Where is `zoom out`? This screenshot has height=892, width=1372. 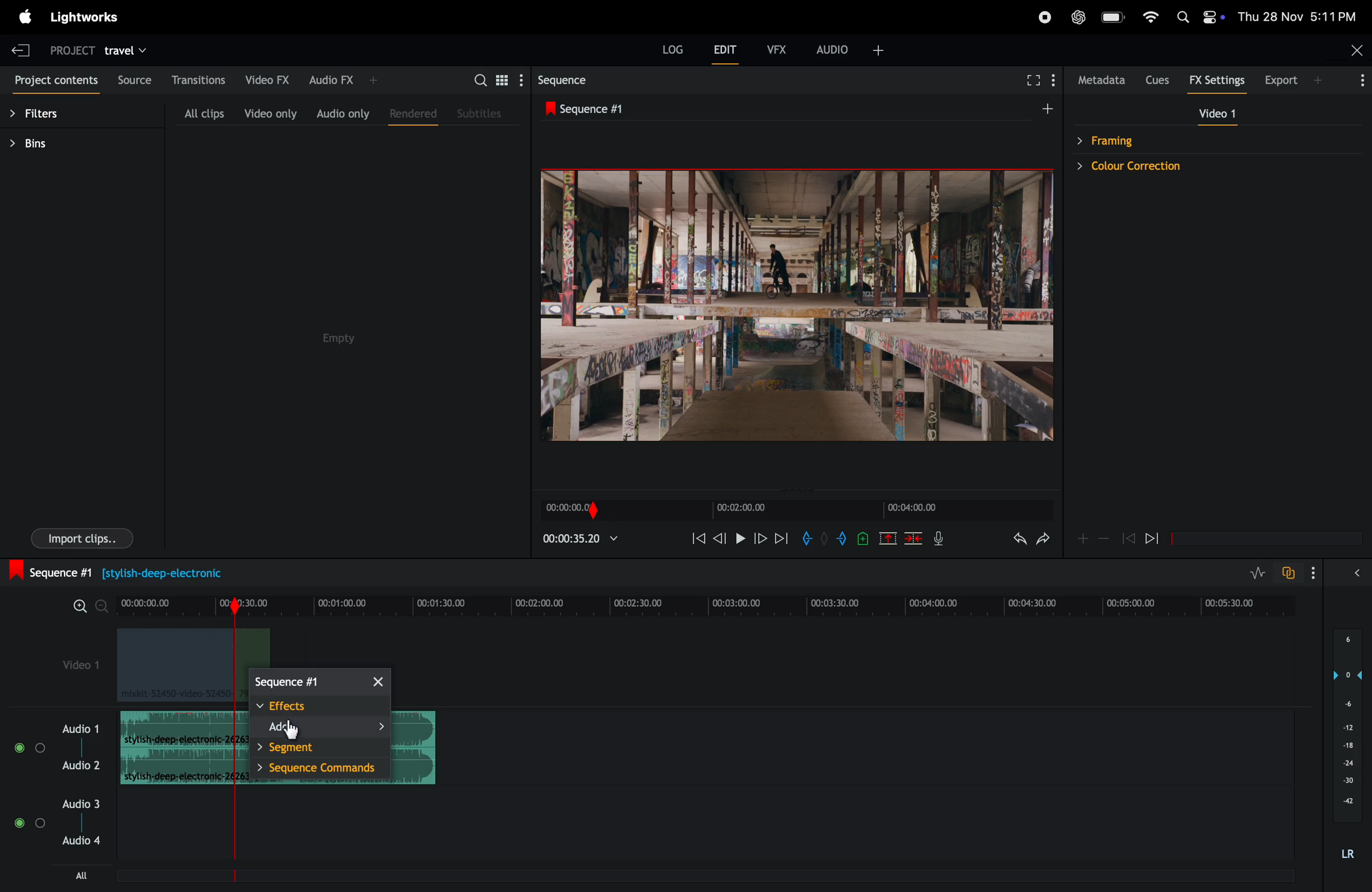
zoom out is located at coordinates (1104, 541).